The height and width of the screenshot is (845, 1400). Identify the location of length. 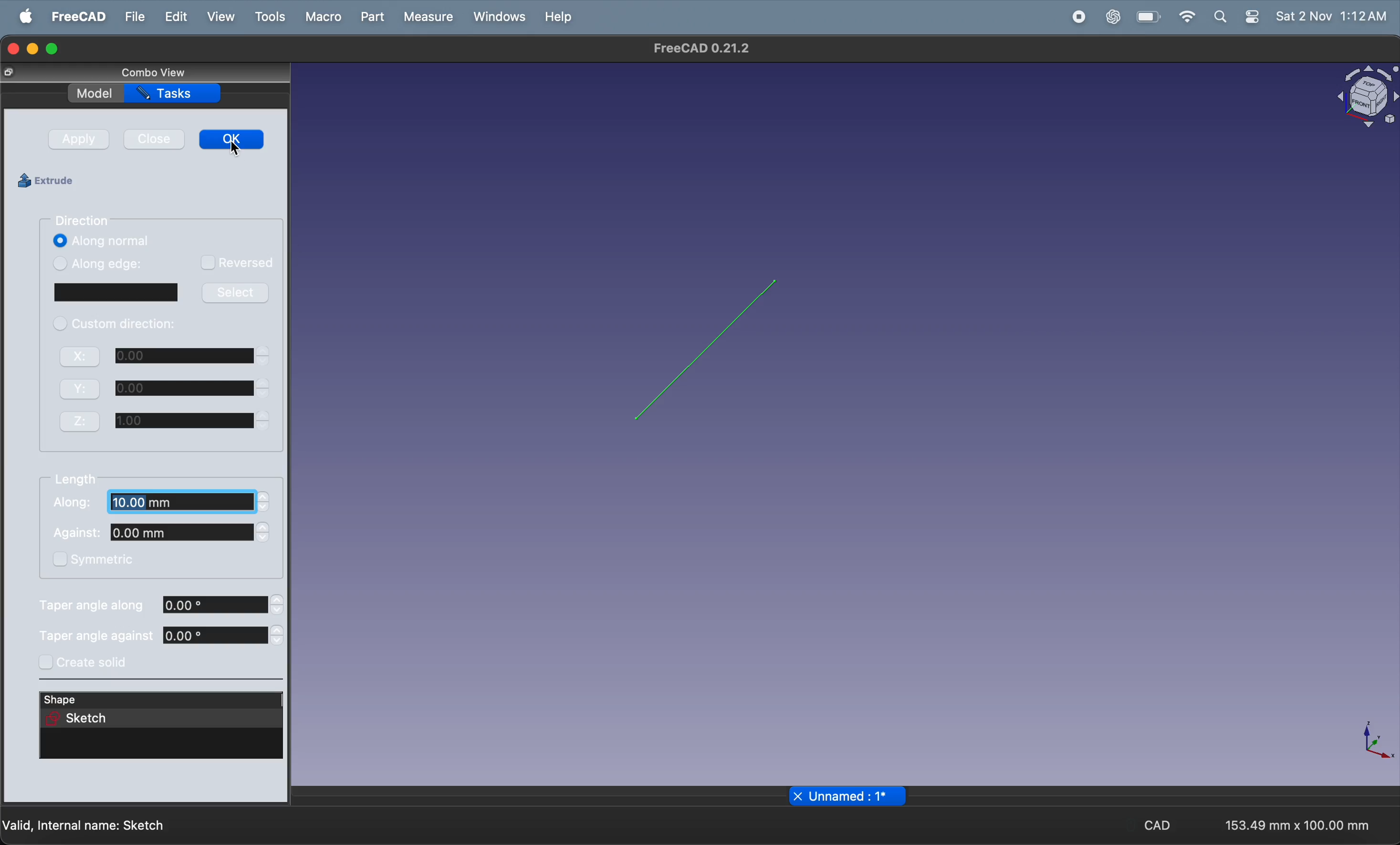
(78, 481).